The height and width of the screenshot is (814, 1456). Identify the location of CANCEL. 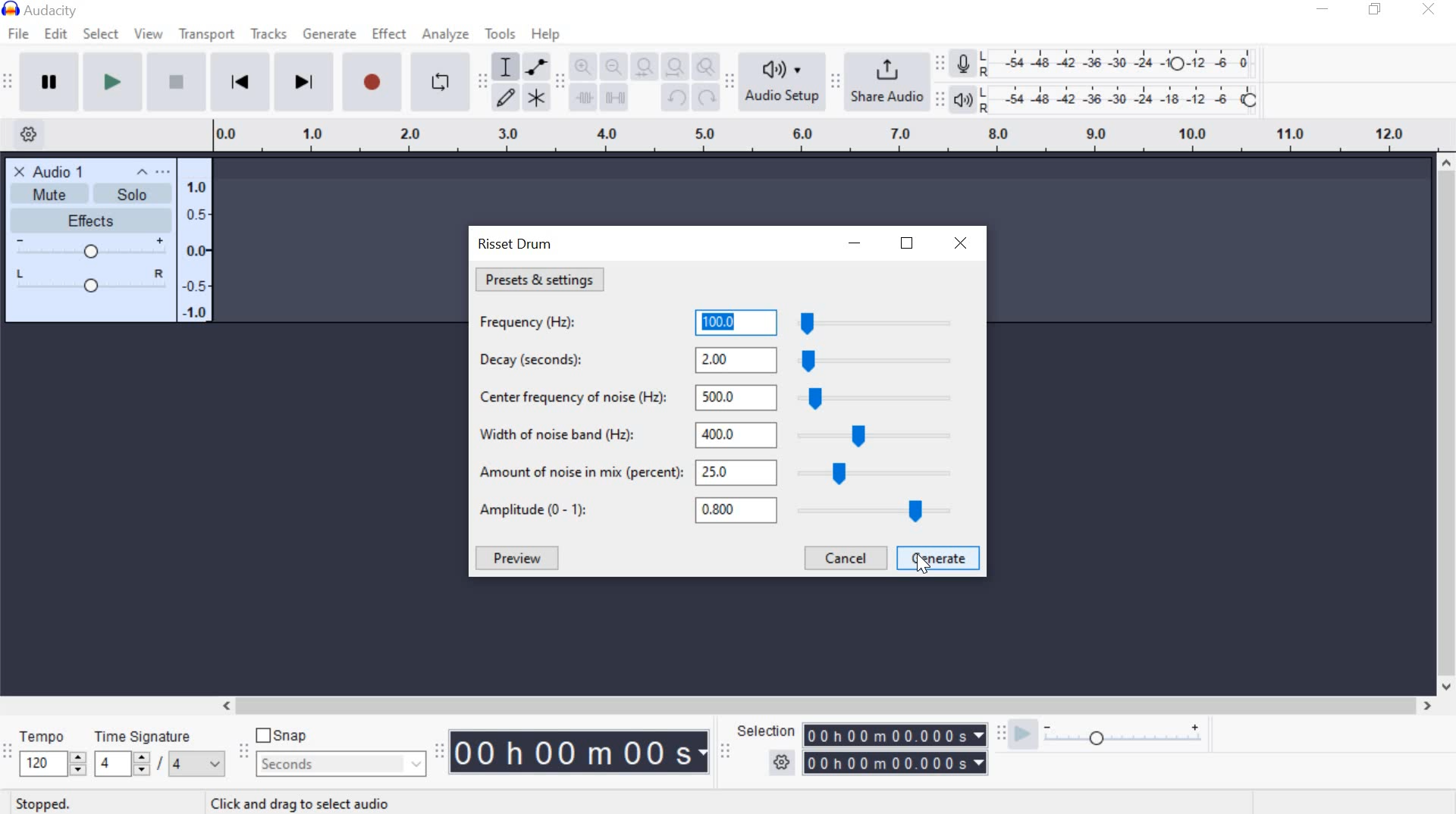
(843, 559).